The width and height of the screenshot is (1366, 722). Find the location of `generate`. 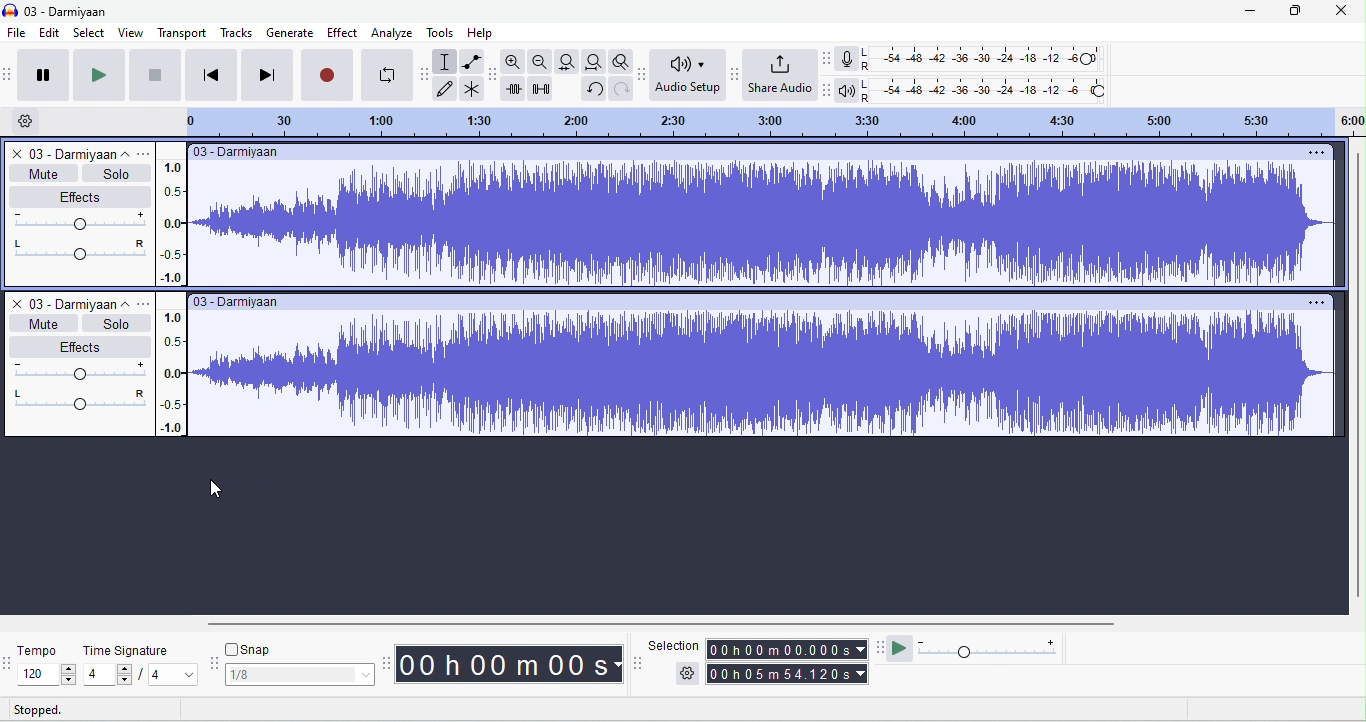

generate is located at coordinates (288, 32).